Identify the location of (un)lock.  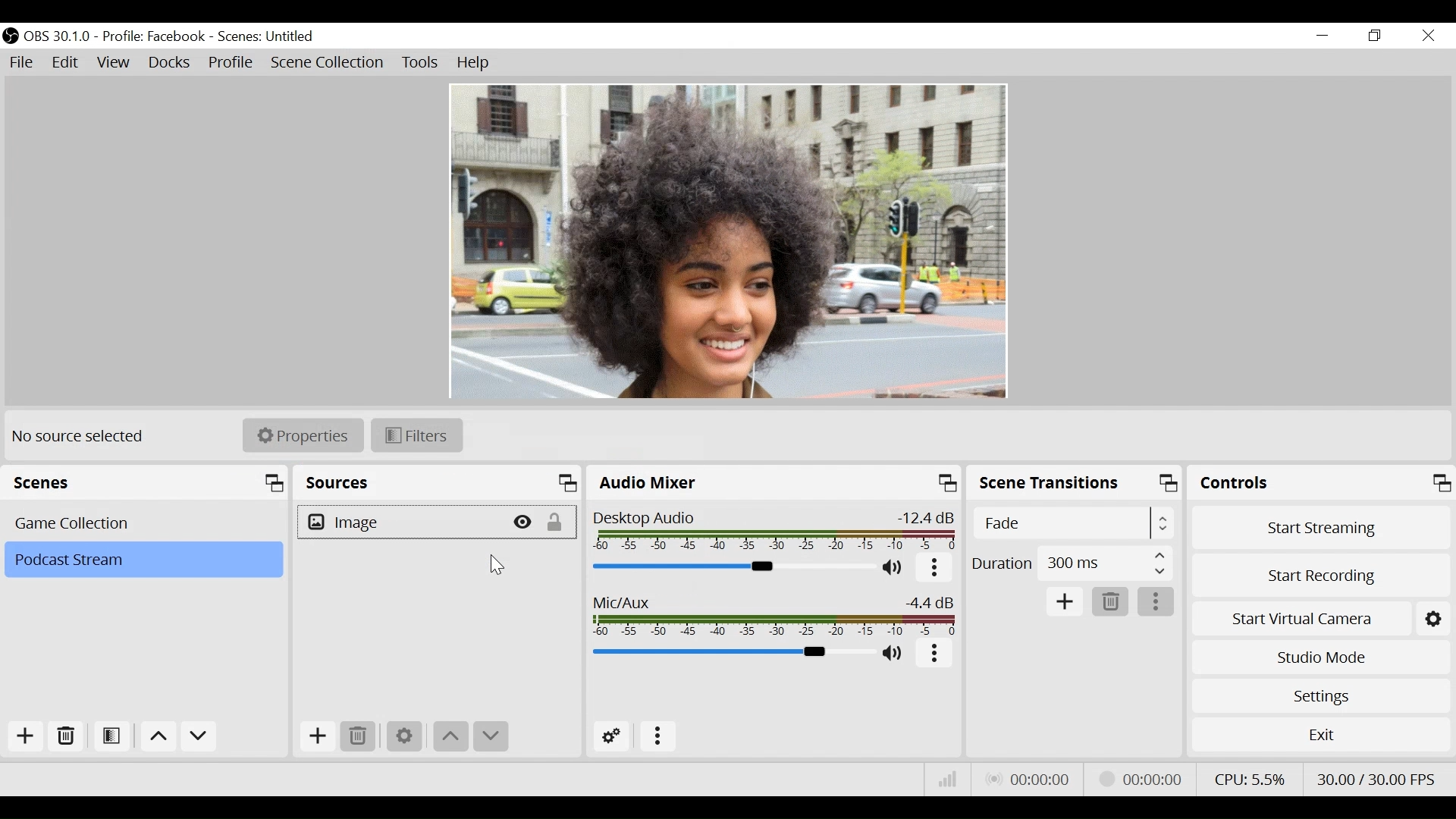
(560, 522).